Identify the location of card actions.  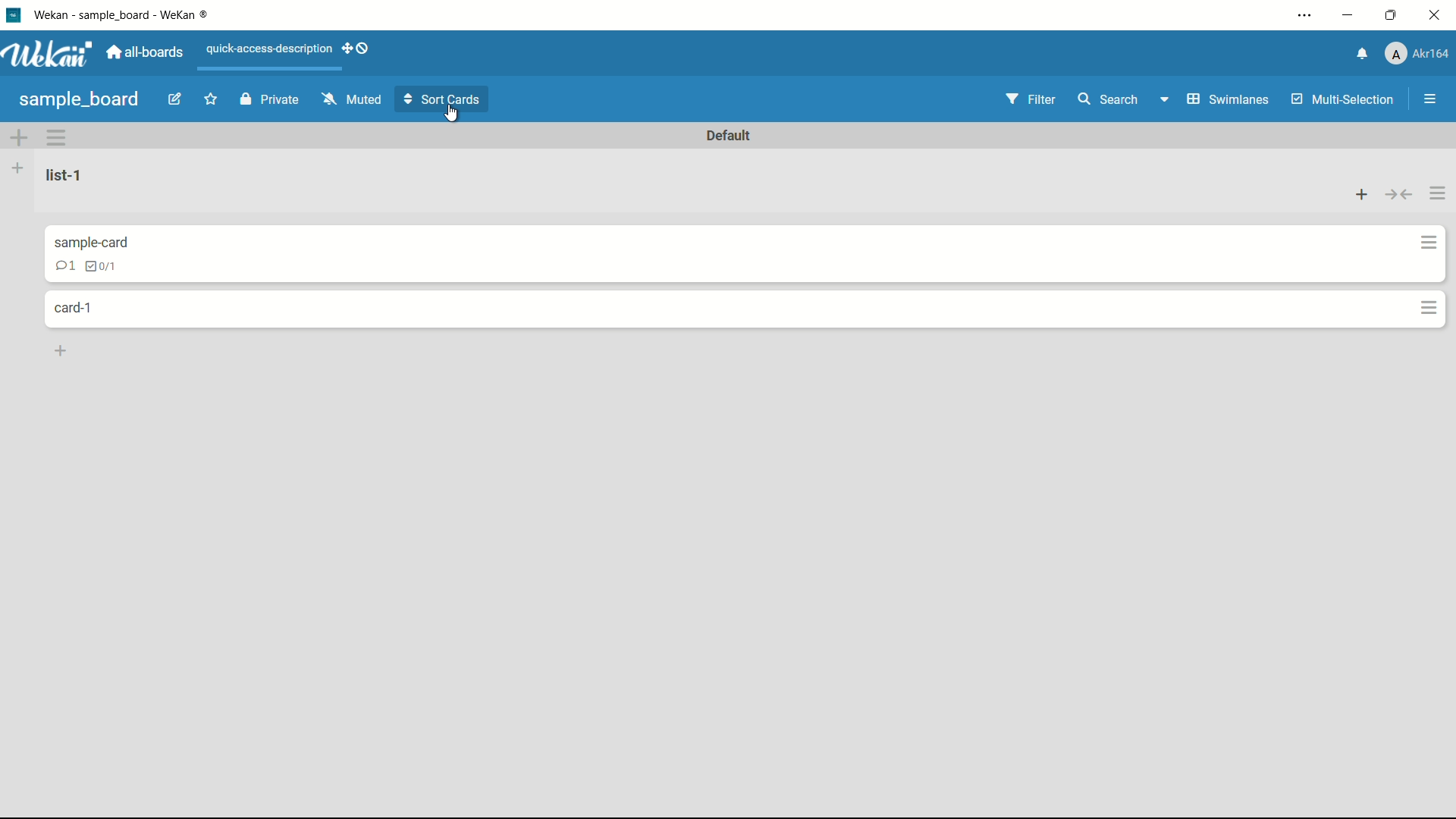
(1429, 242).